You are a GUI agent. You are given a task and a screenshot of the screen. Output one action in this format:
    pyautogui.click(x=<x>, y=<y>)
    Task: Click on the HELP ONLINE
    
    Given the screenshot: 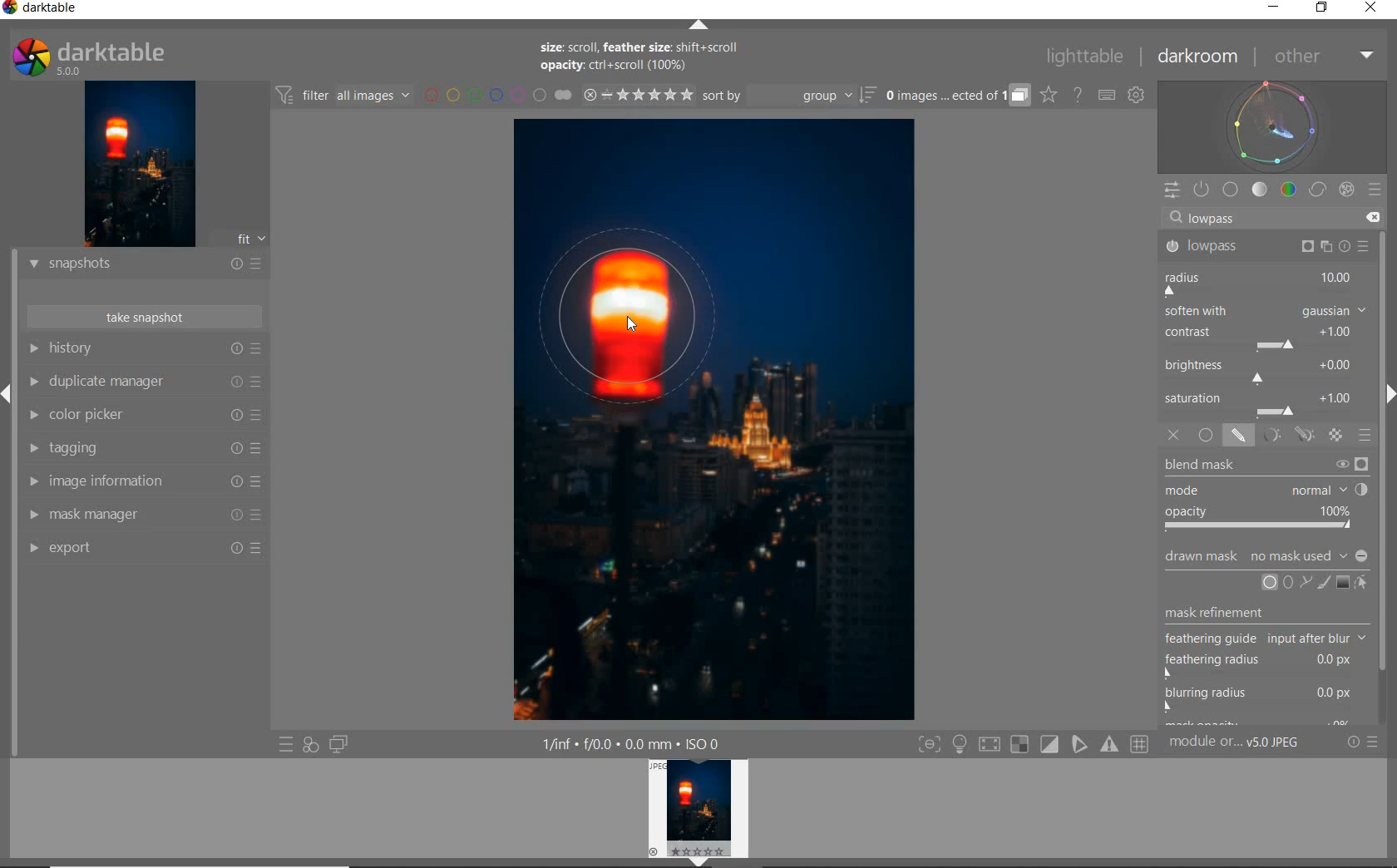 What is the action you would take?
    pyautogui.click(x=1077, y=94)
    